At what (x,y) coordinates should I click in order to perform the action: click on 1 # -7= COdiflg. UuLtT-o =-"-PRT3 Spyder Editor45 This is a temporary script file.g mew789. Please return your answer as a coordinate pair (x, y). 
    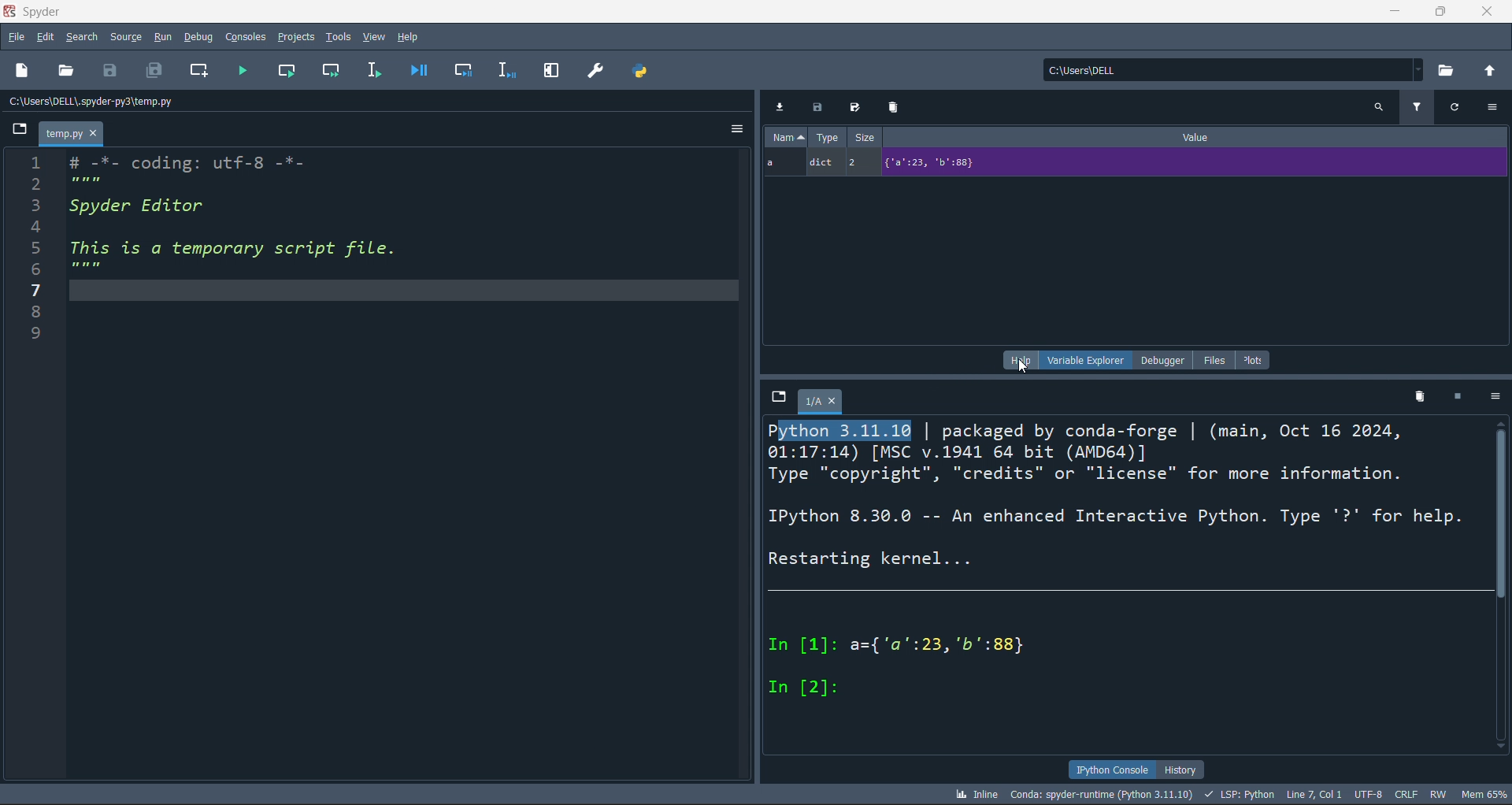
    Looking at the image, I should click on (230, 247).